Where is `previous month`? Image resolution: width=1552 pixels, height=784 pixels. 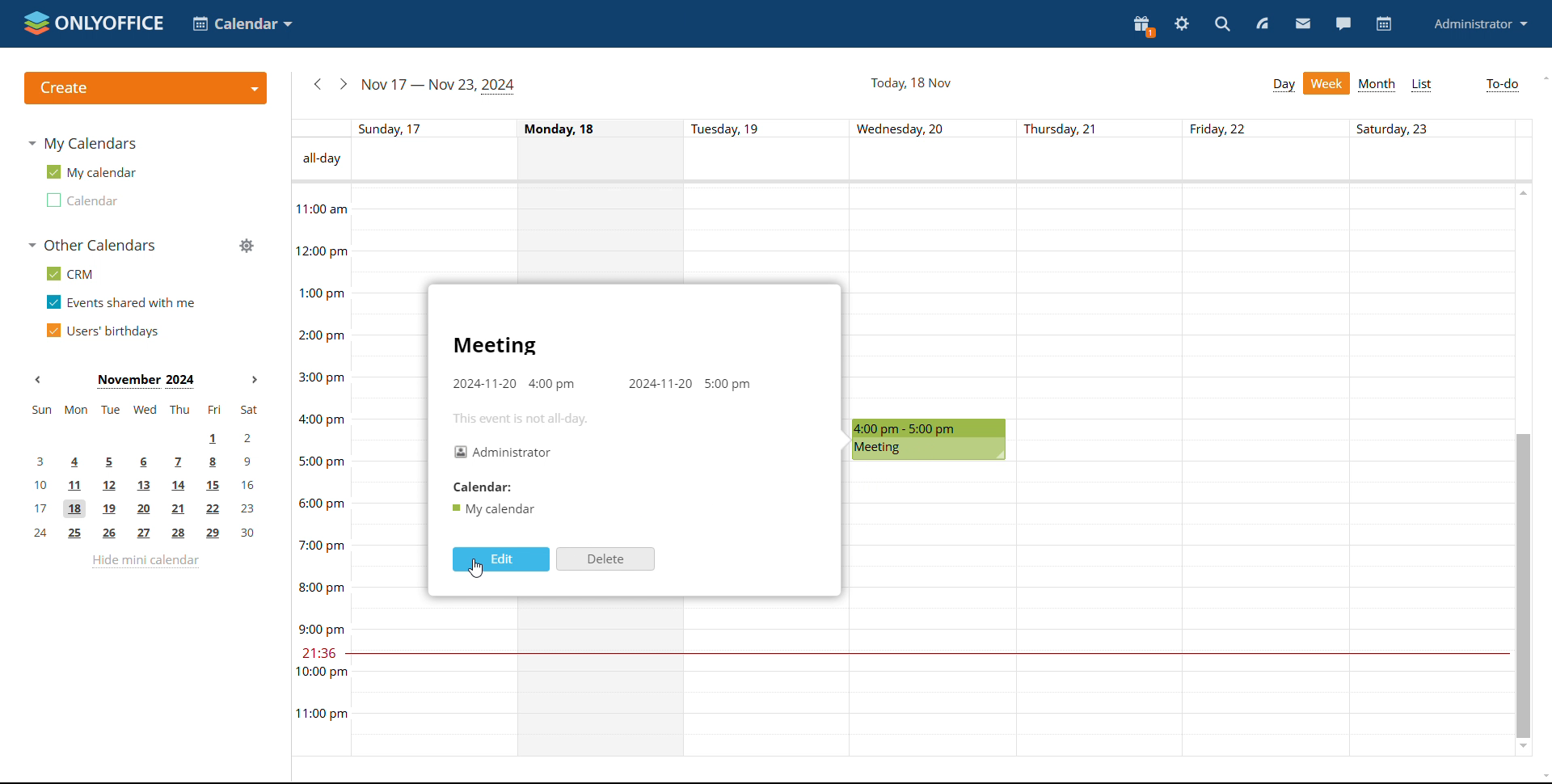 previous month is located at coordinates (42, 380).